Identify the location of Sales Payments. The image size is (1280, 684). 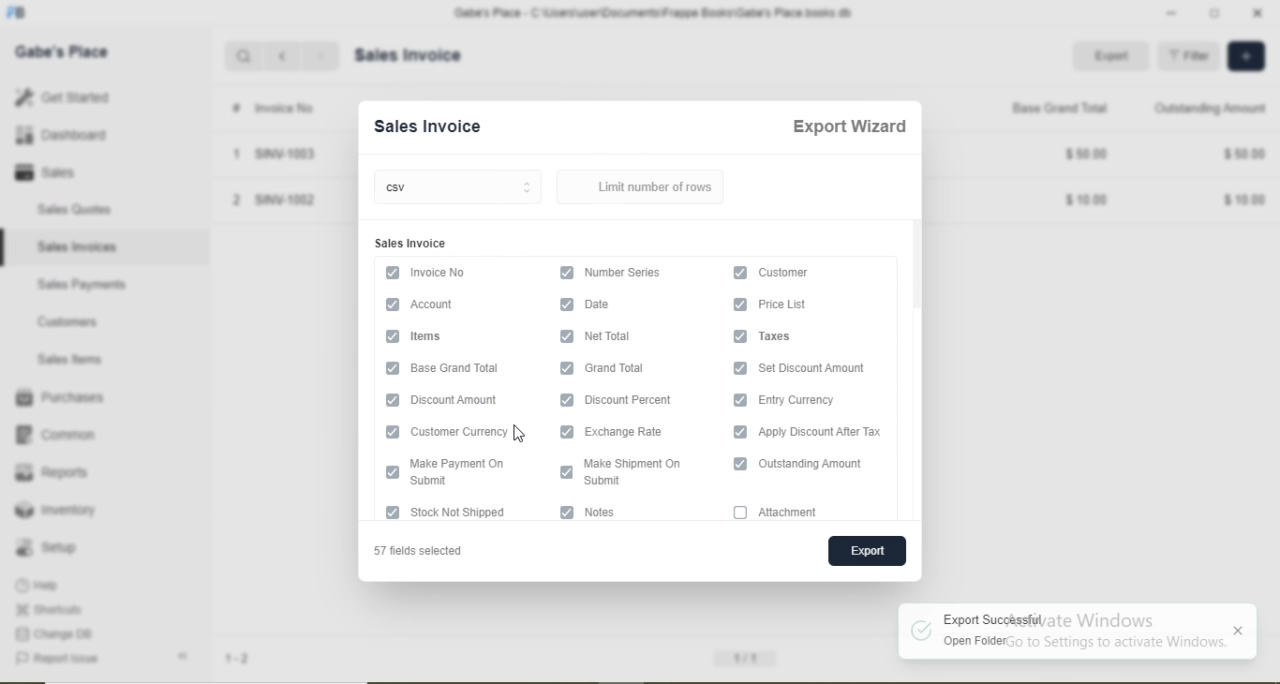
(80, 284).